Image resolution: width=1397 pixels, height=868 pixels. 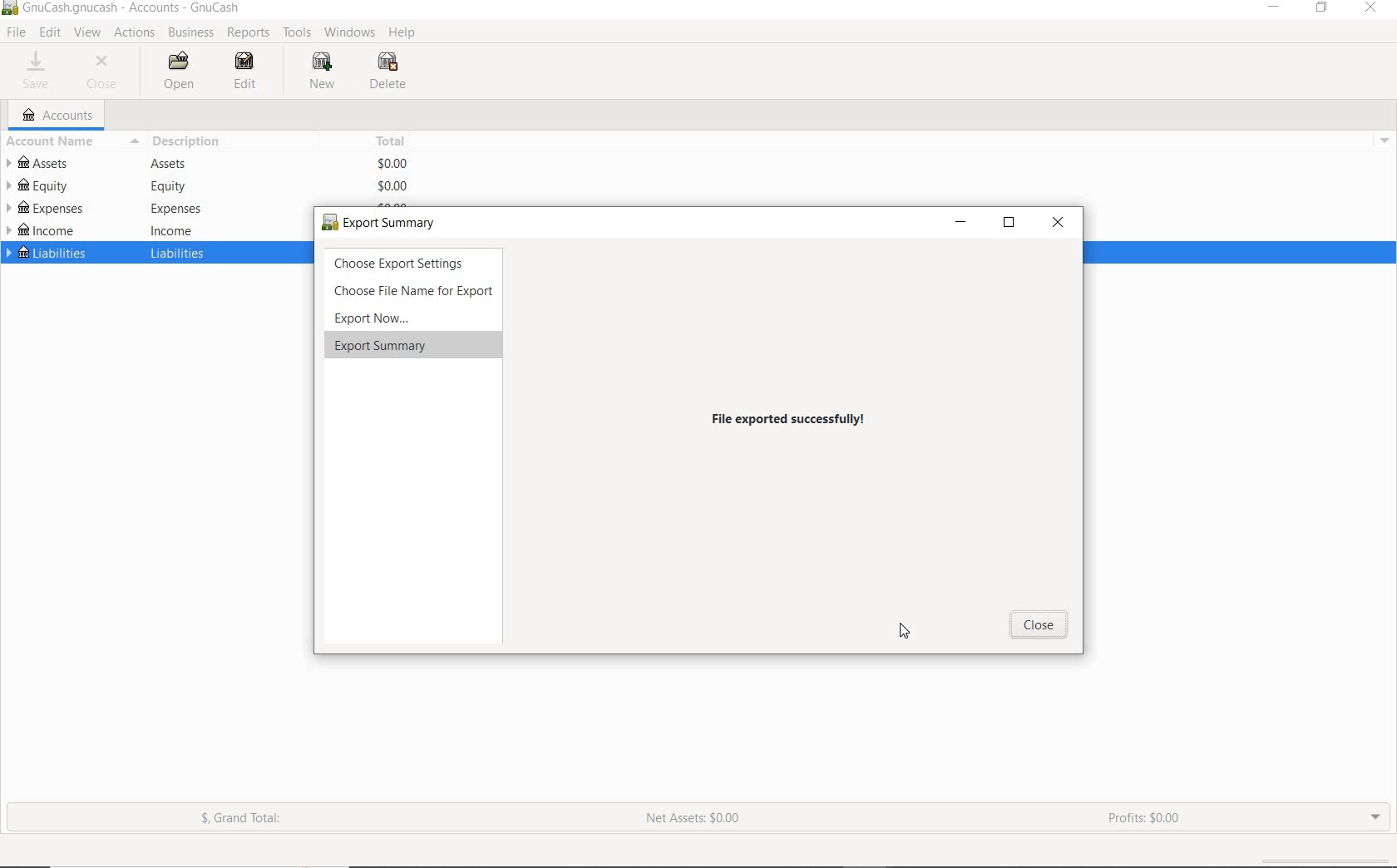 What do you see at coordinates (126, 9) in the screenshot?
I see `SYSTEM NAME` at bounding box center [126, 9].